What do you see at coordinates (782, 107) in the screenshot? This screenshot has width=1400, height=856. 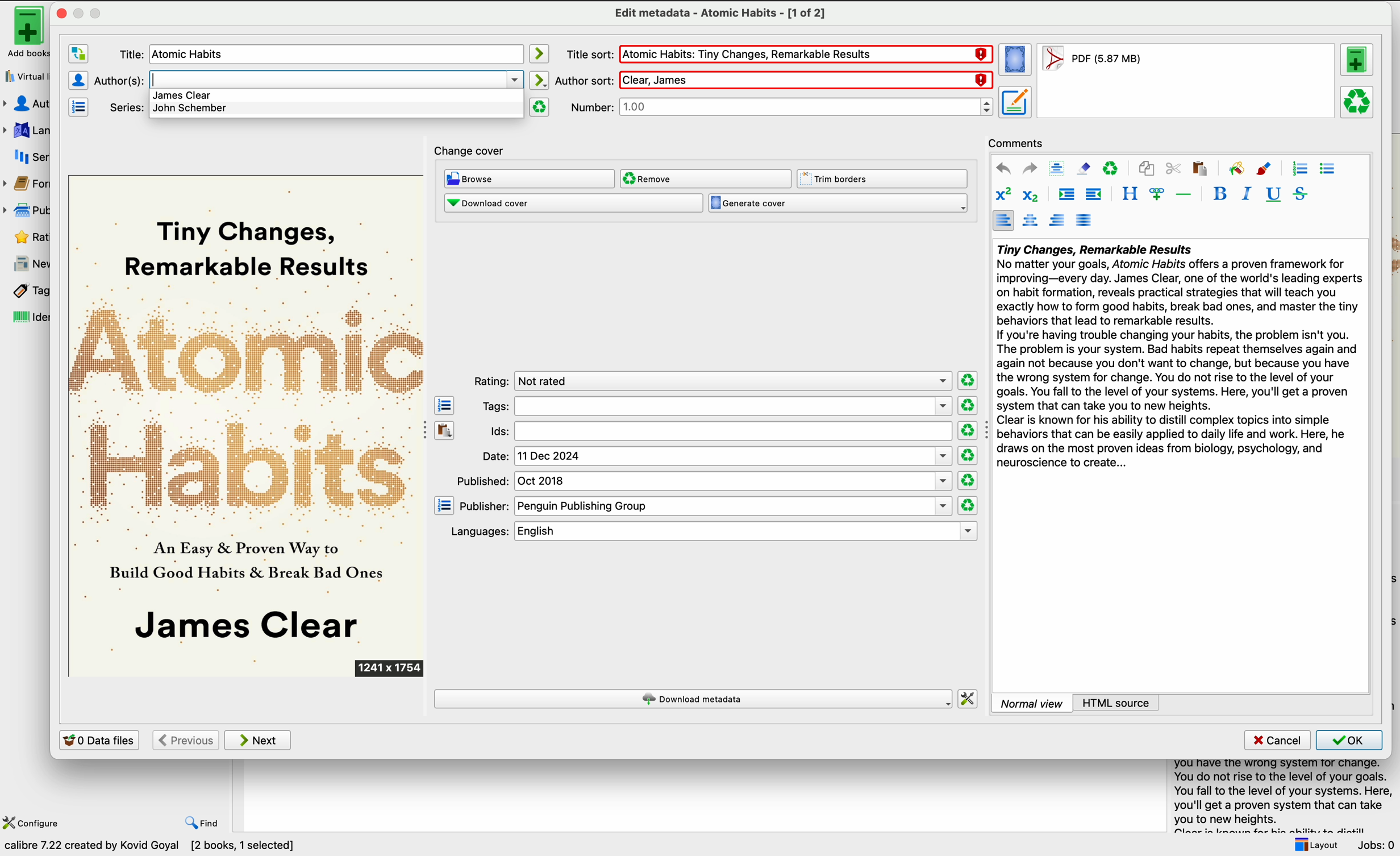 I see `number` at bounding box center [782, 107].